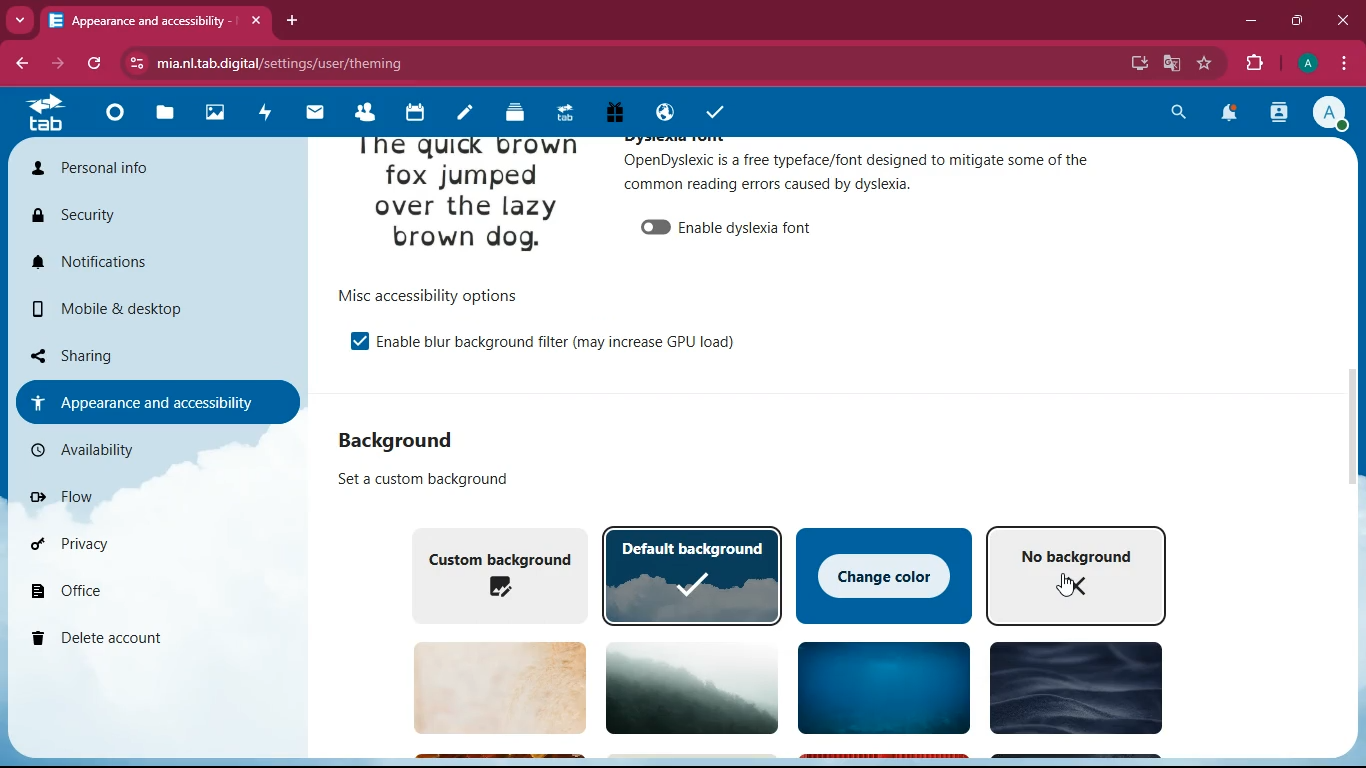 The image size is (1366, 768). Describe the element at coordinates (155, 314) in the screenshot. I see `mobile` at that location.